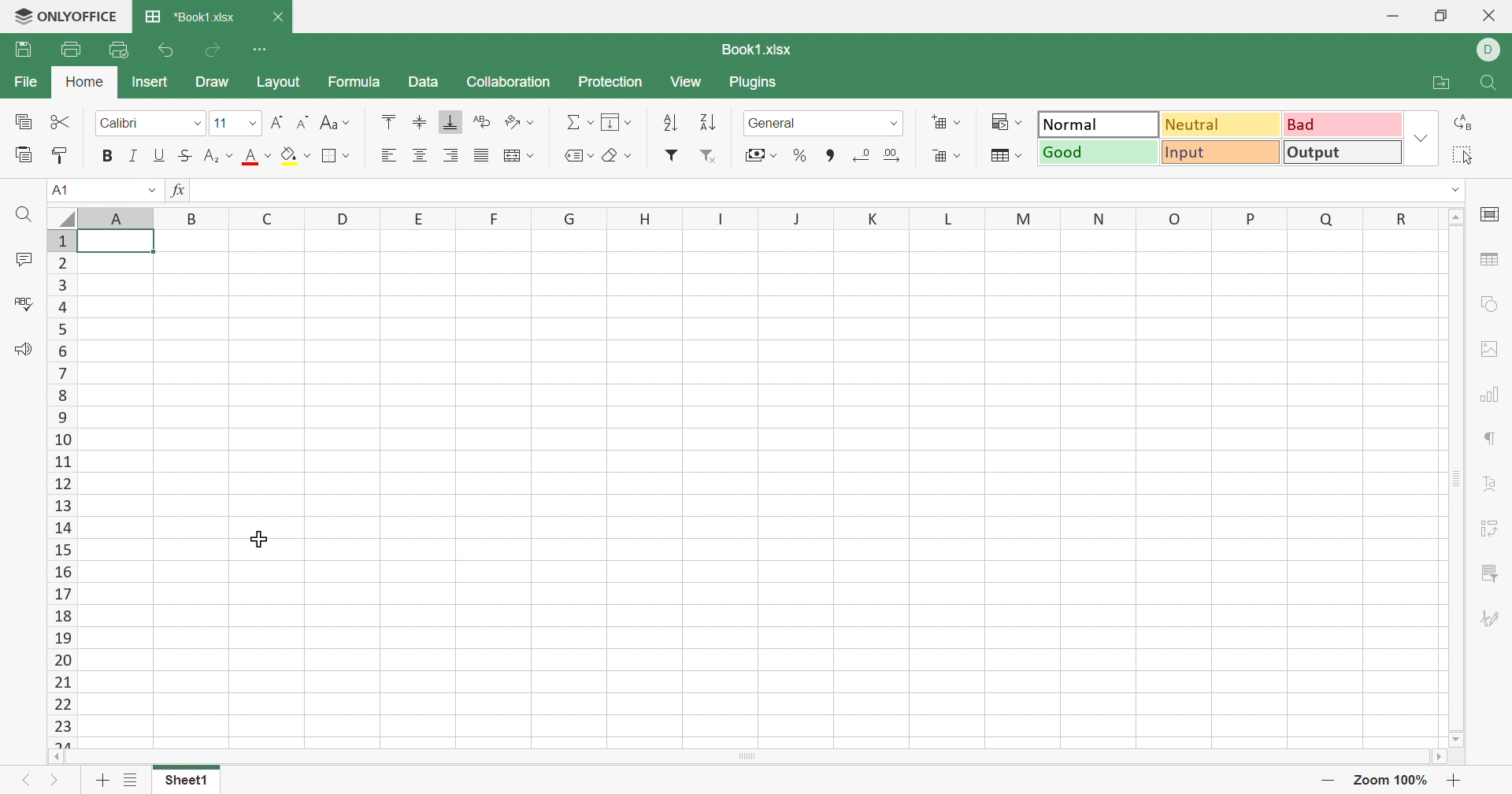 The image size is (1512, 794). What do you see at coordinates (510, 121) in the screenshot?
I see `Orientation` at bounding box center [510, 121].